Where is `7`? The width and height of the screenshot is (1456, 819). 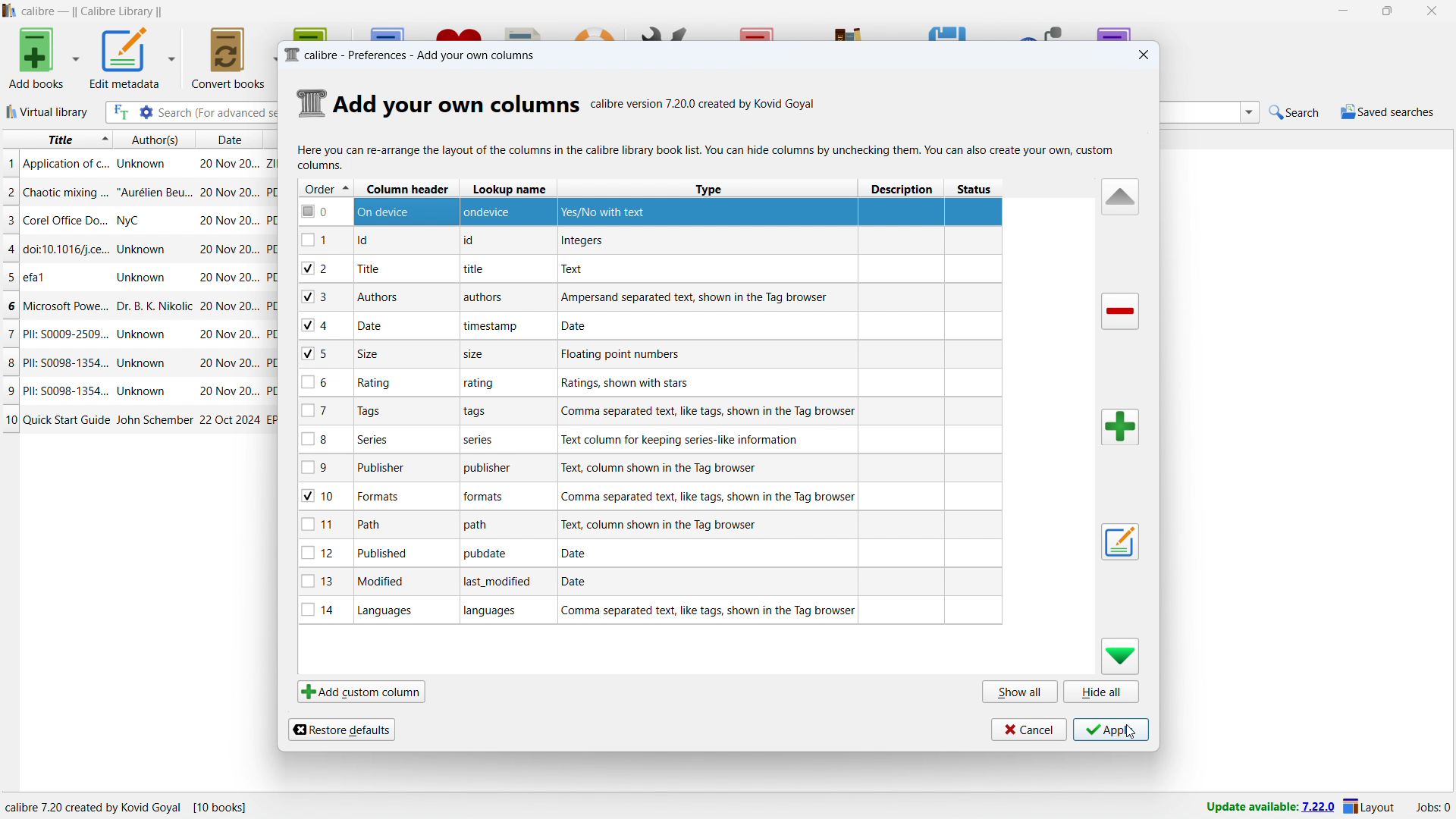 7 is located at coordinates (322, 410).